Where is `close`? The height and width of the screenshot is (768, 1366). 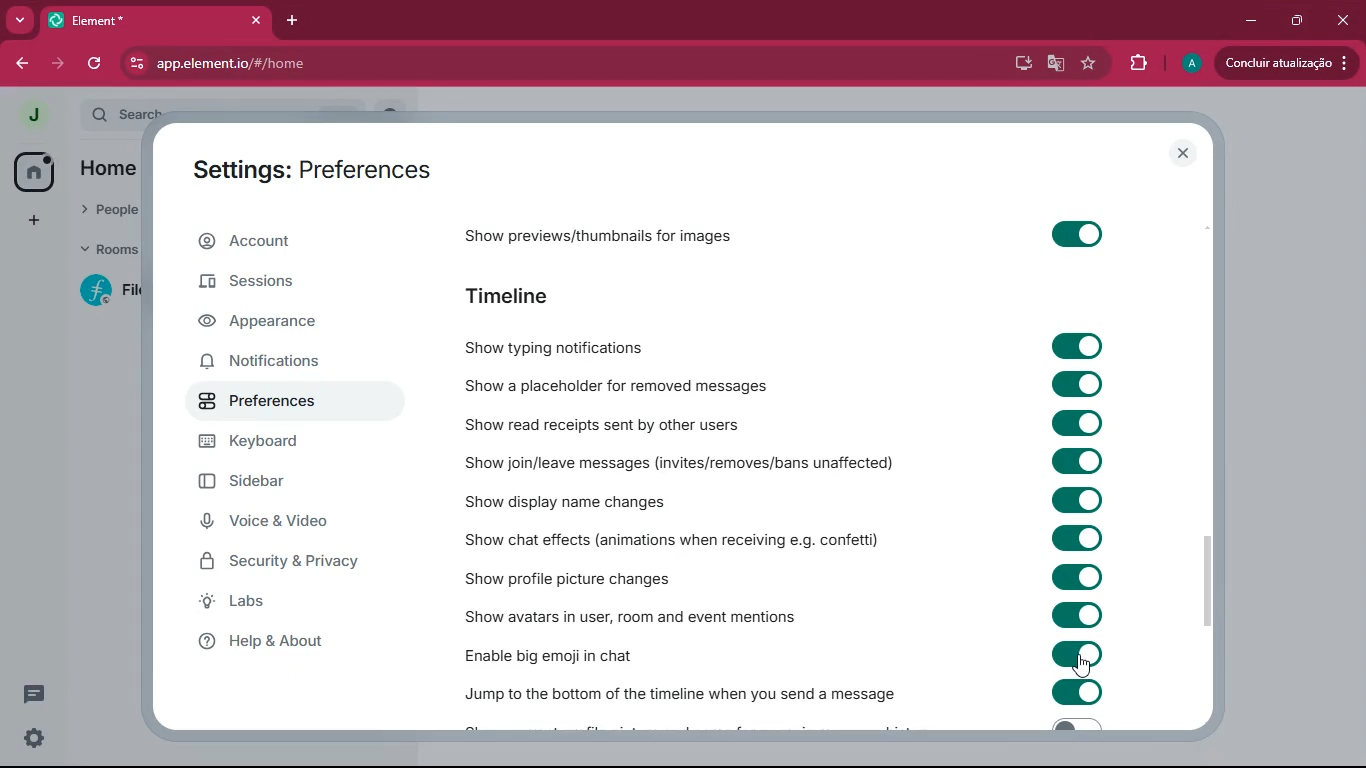
close is located at coordinates (1185, 154).